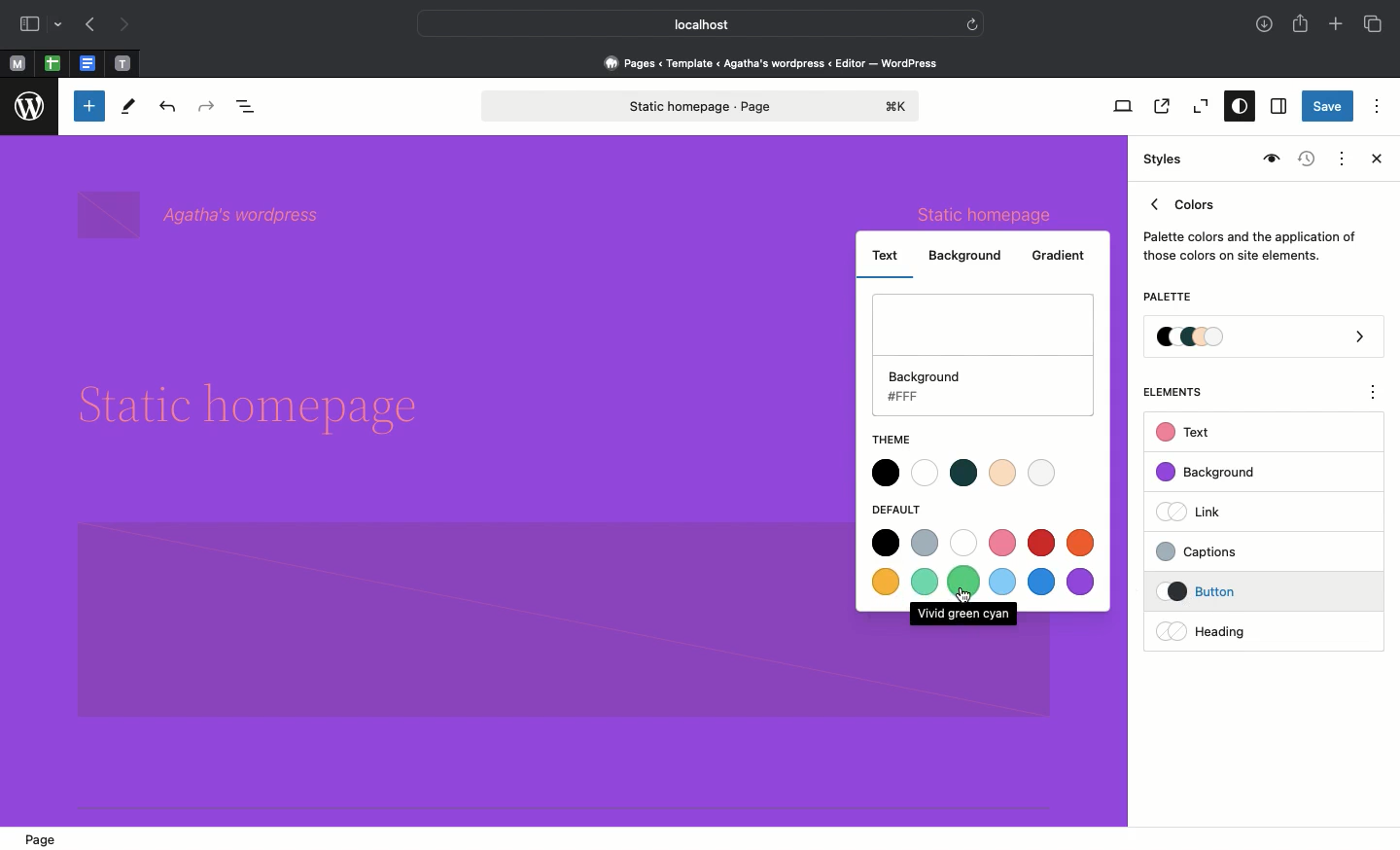  What do you see at coordinates (1230, 629) in the screenshot?
I see `Headings` at bounding box center [1230, 629].